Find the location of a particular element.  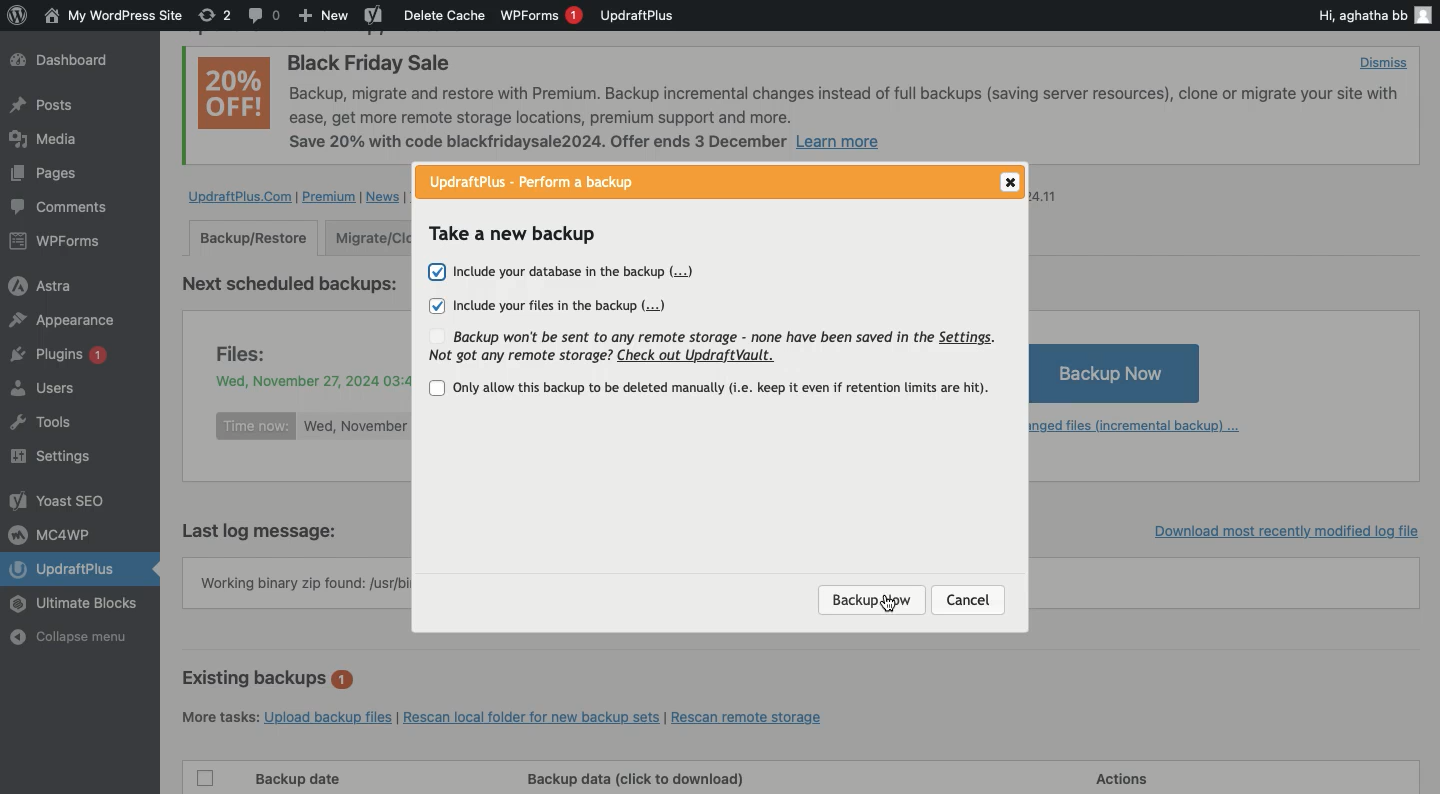

UpdraftPlus is located at coordinates (638, 15).